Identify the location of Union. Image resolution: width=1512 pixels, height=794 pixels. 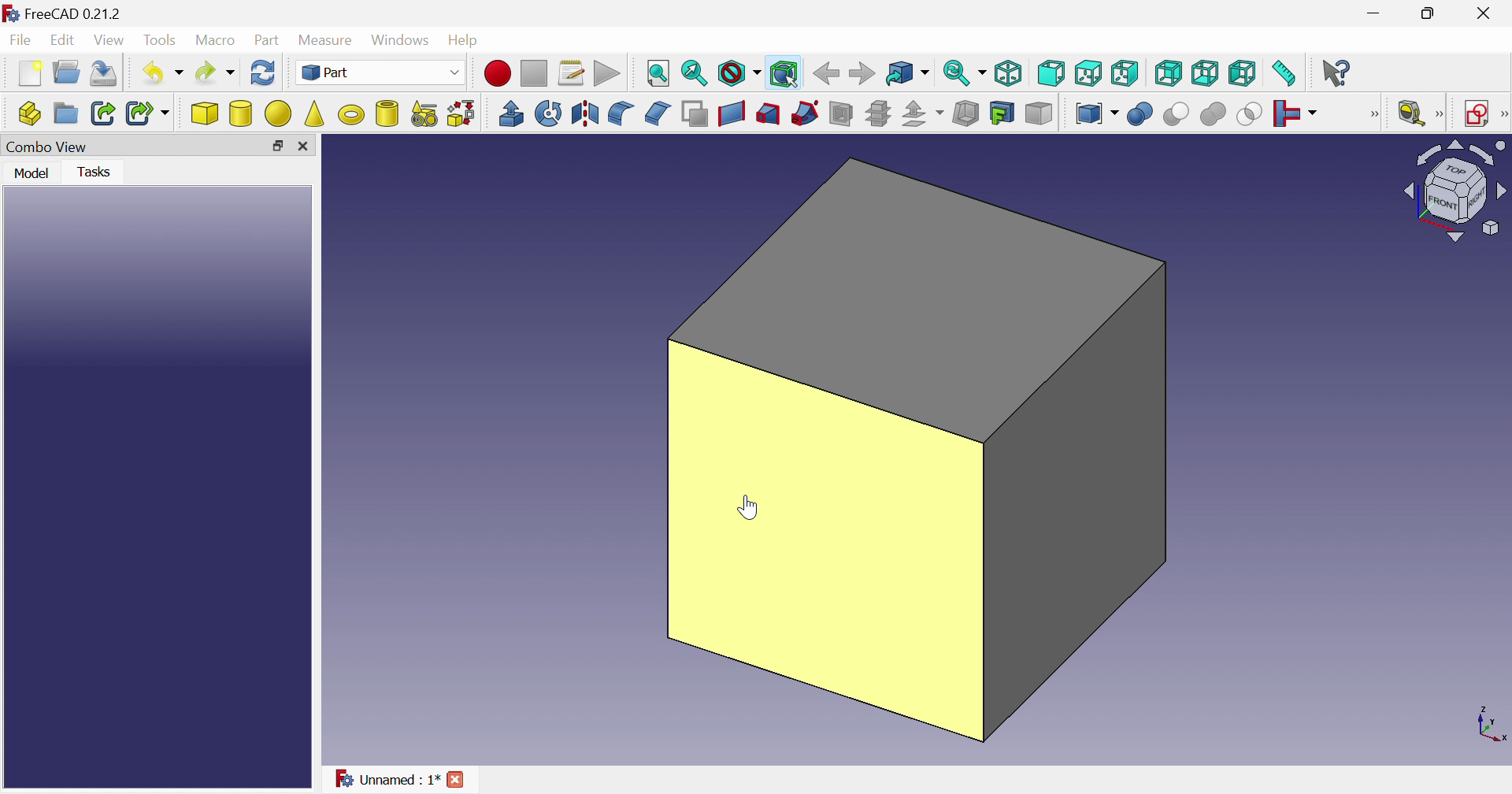
(1213, 113).